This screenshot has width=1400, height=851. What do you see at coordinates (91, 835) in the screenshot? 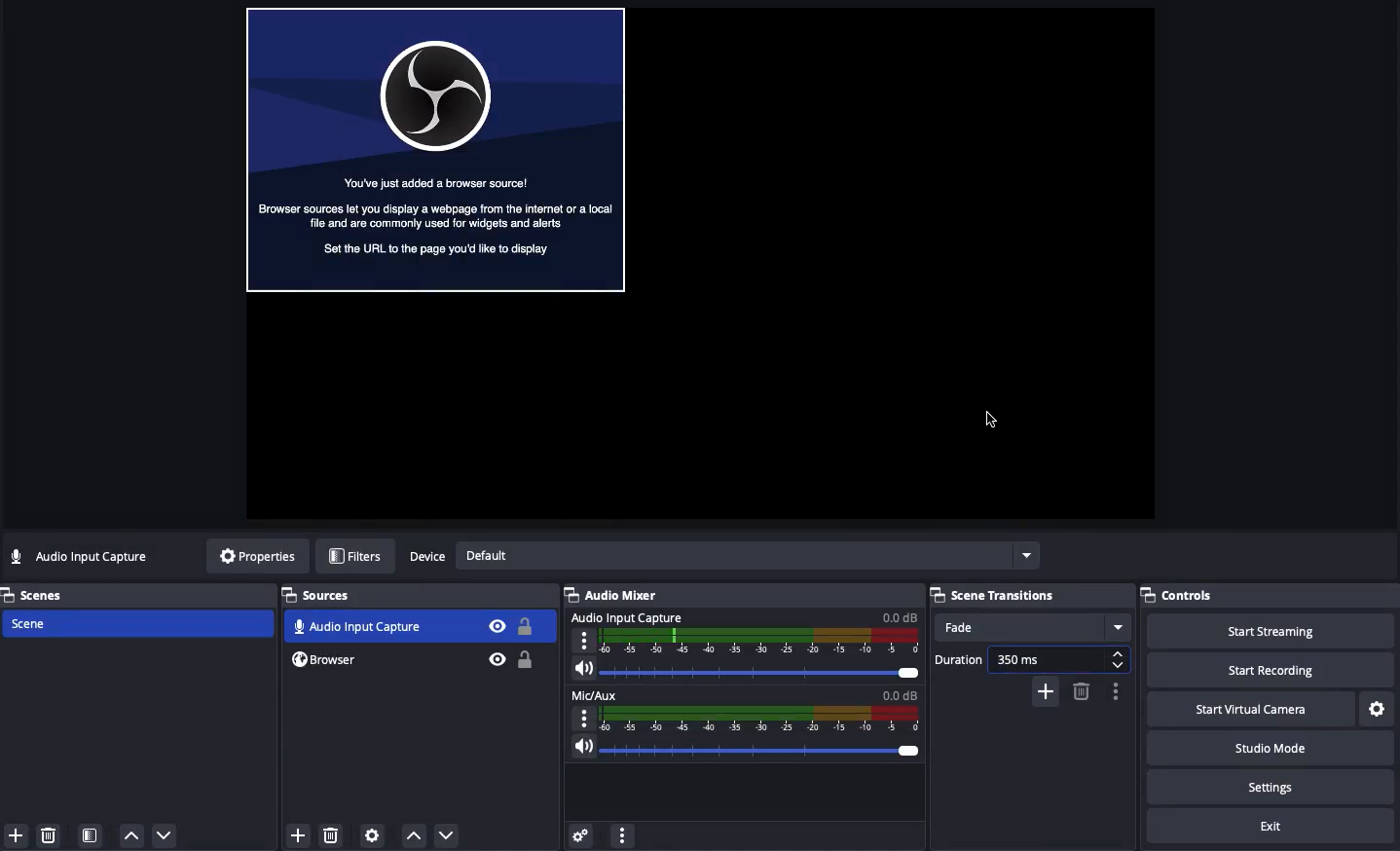
I see `Scene filter` at bounding box center [91, 835].